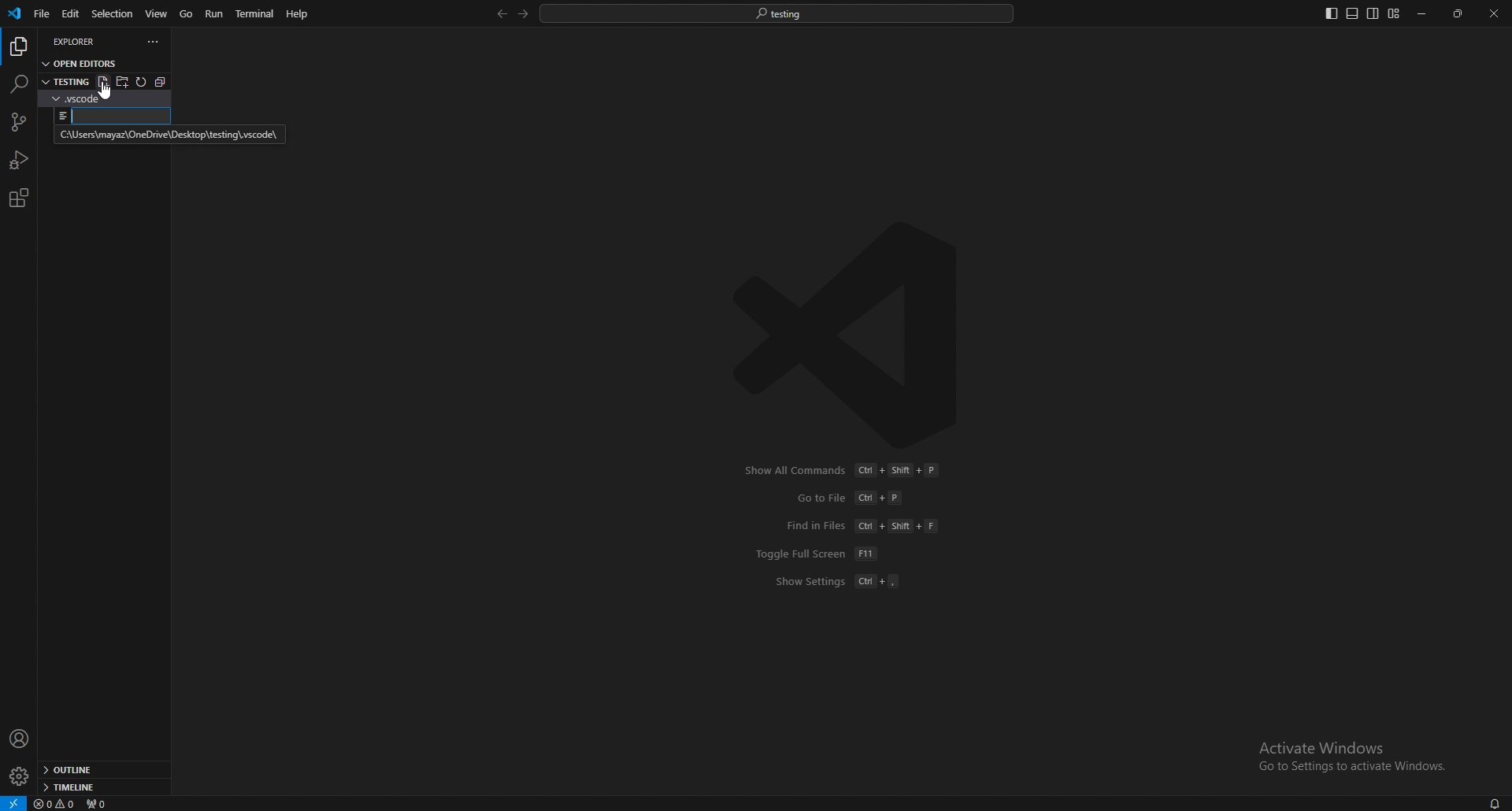 The height and width of the screenshot is (811, 1512). I want to click on timeline, so click(99, 787).